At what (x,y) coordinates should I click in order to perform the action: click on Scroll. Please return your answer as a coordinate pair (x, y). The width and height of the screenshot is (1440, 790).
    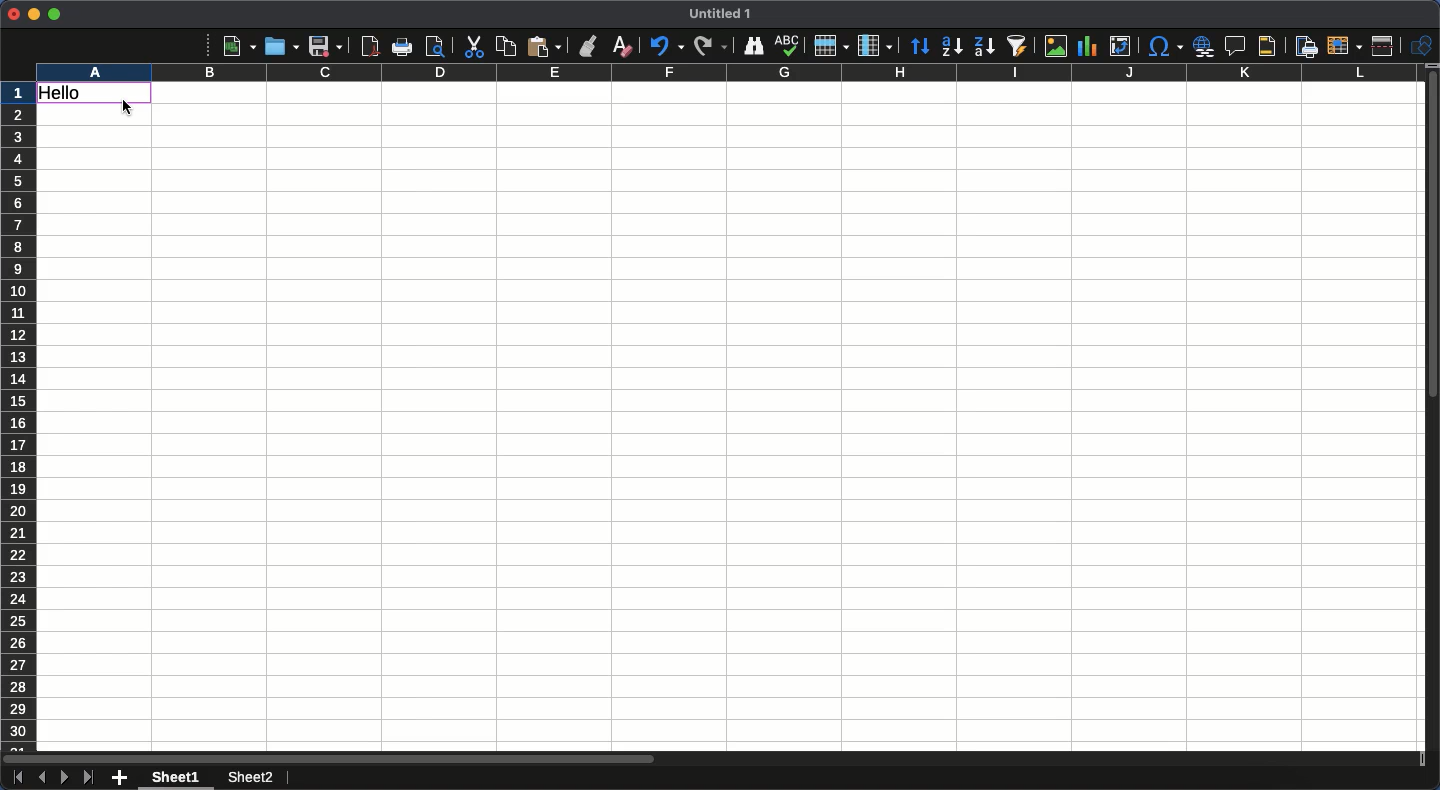
    Looking at the image, I should click on (1431, 418).